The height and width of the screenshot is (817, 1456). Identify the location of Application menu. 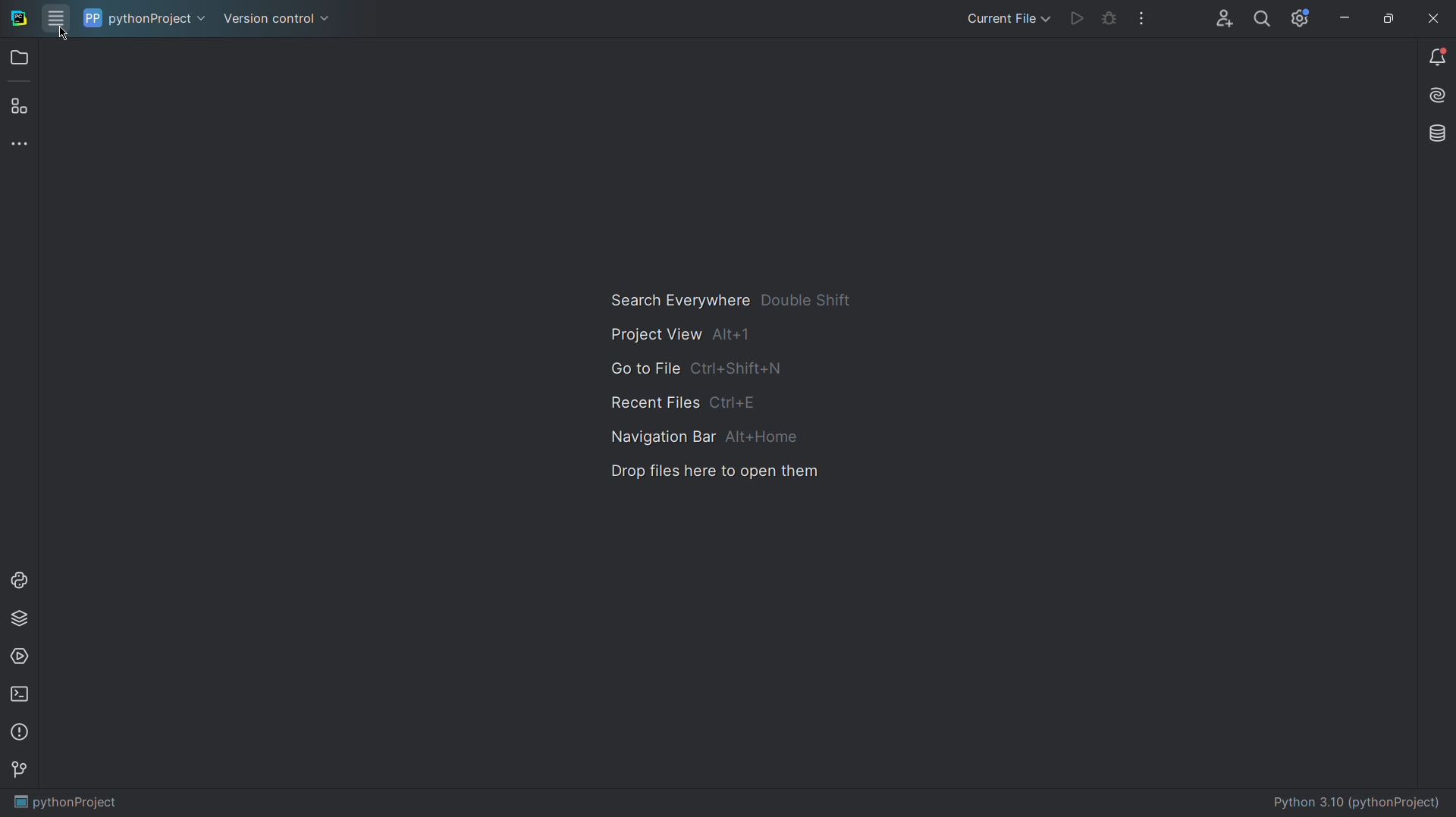
(51, 17).